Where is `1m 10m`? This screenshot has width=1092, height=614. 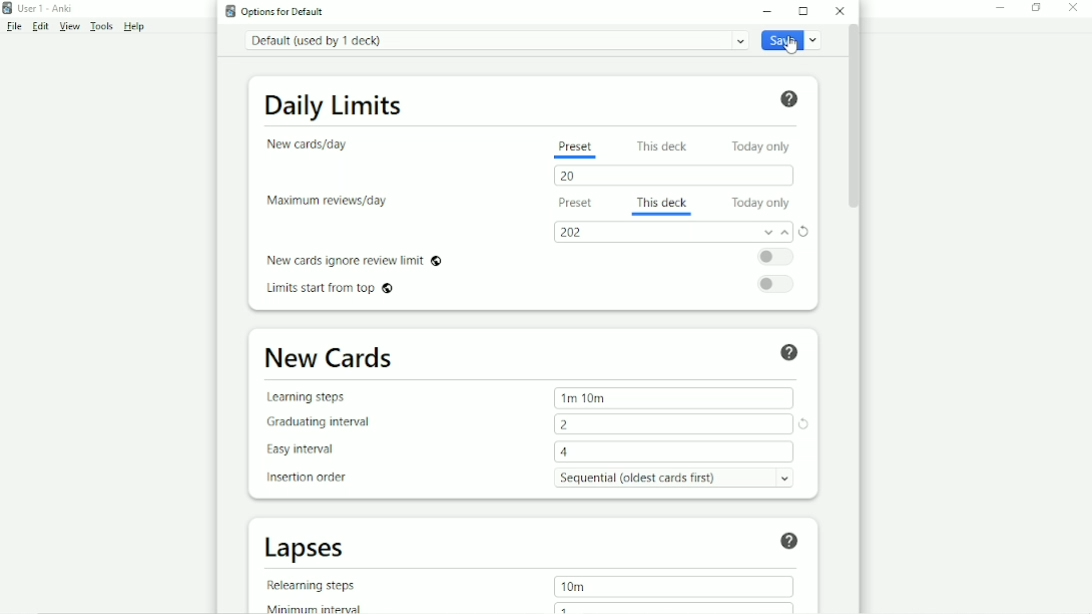
1m 10m is located at coordinates (584, 397).